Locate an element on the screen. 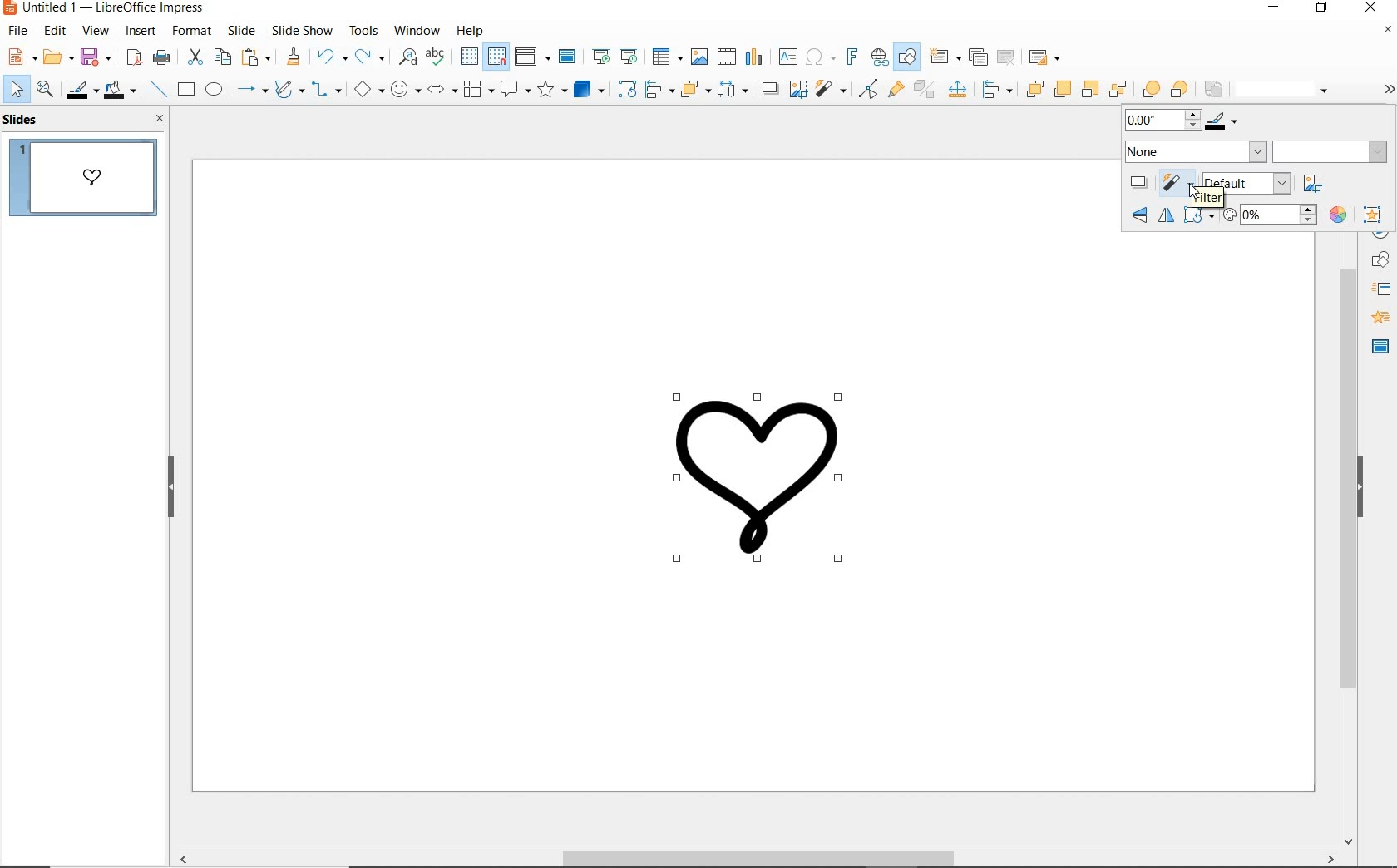  insert line is located at coordinates (157, 90).